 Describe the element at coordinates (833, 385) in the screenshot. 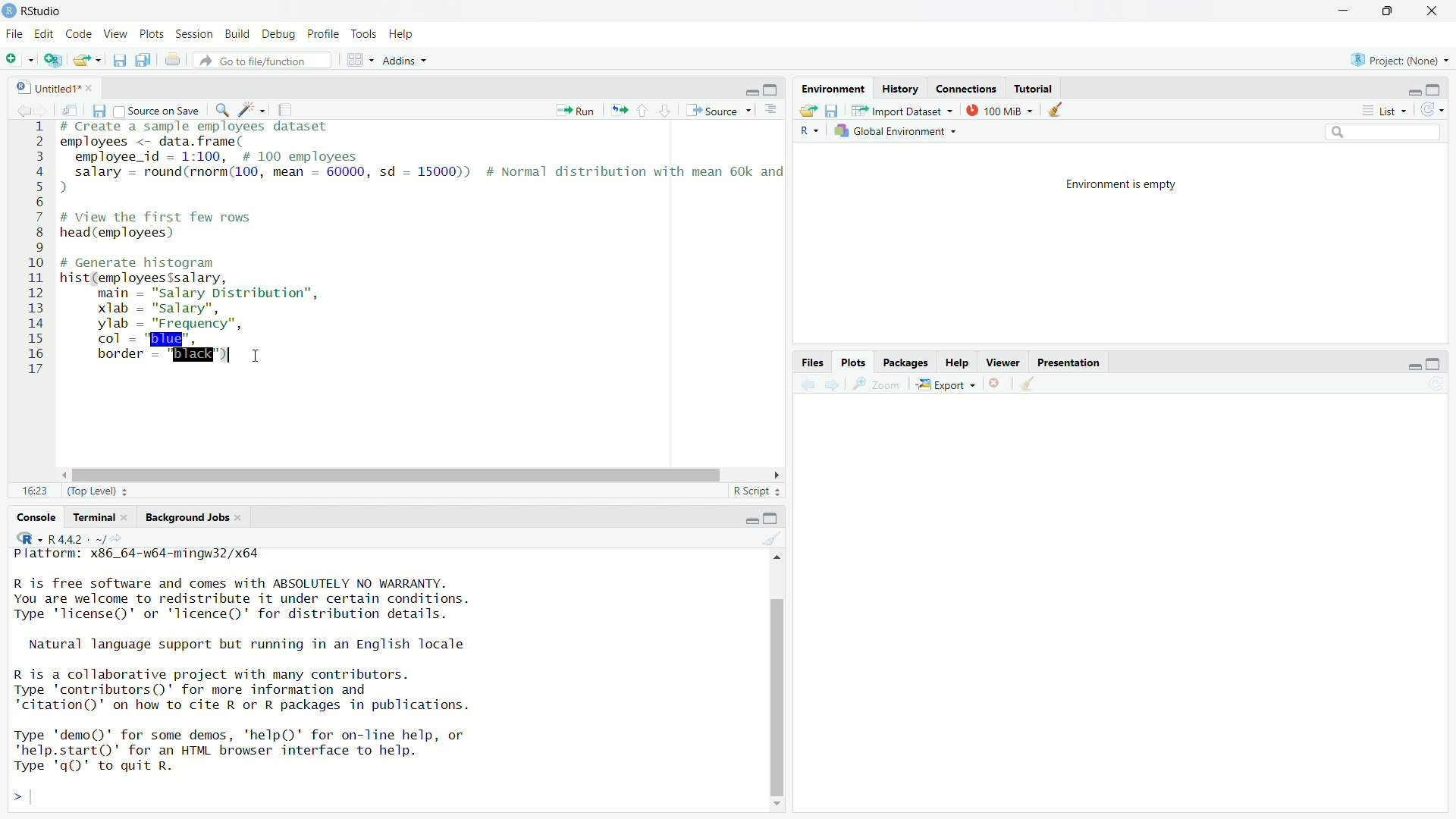

I see `next` at that location.